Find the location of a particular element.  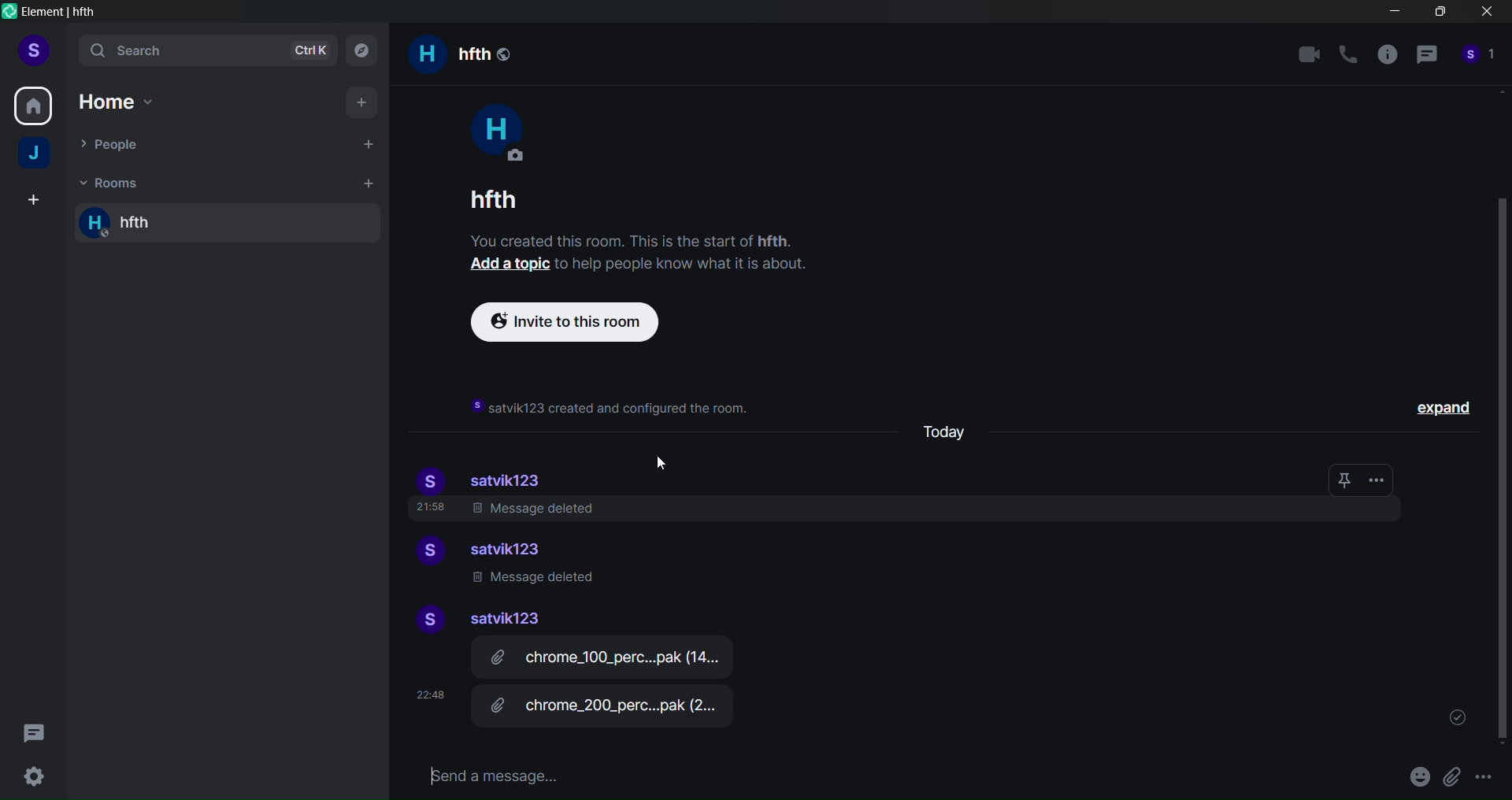

people is located at coordinates (117, 146).